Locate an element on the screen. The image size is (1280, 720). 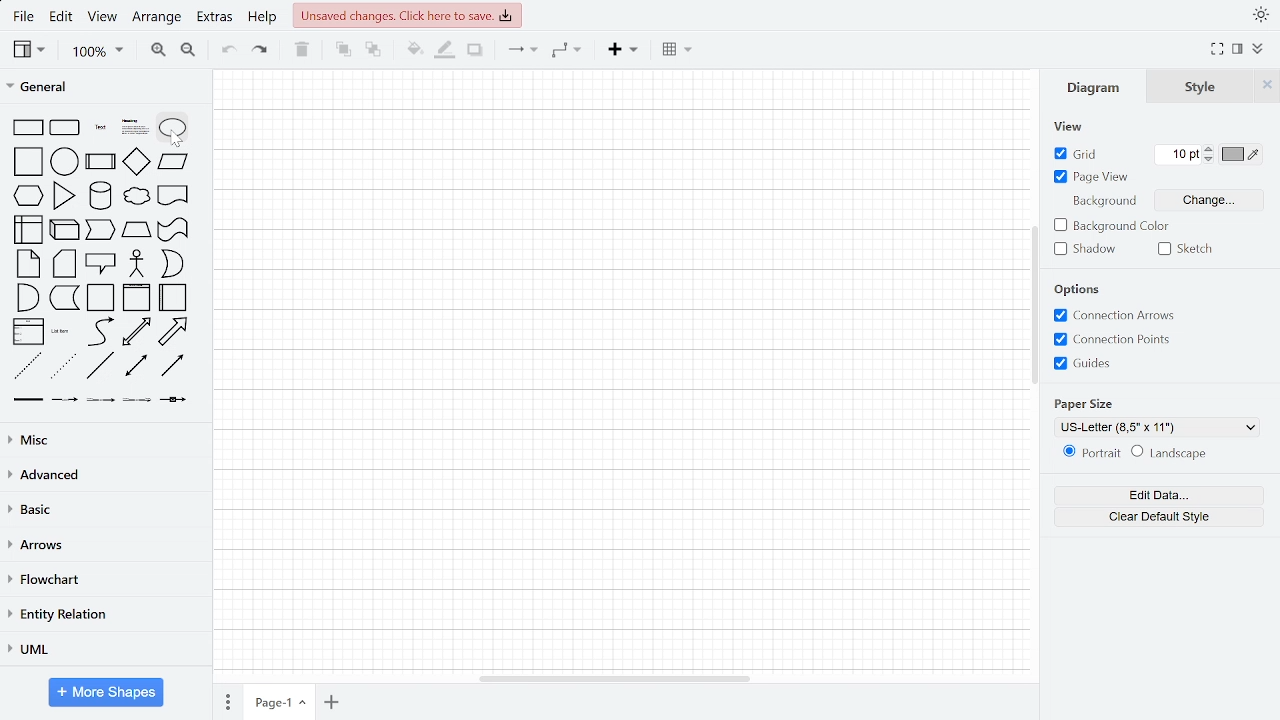
text is located at coordinates (101, 130).